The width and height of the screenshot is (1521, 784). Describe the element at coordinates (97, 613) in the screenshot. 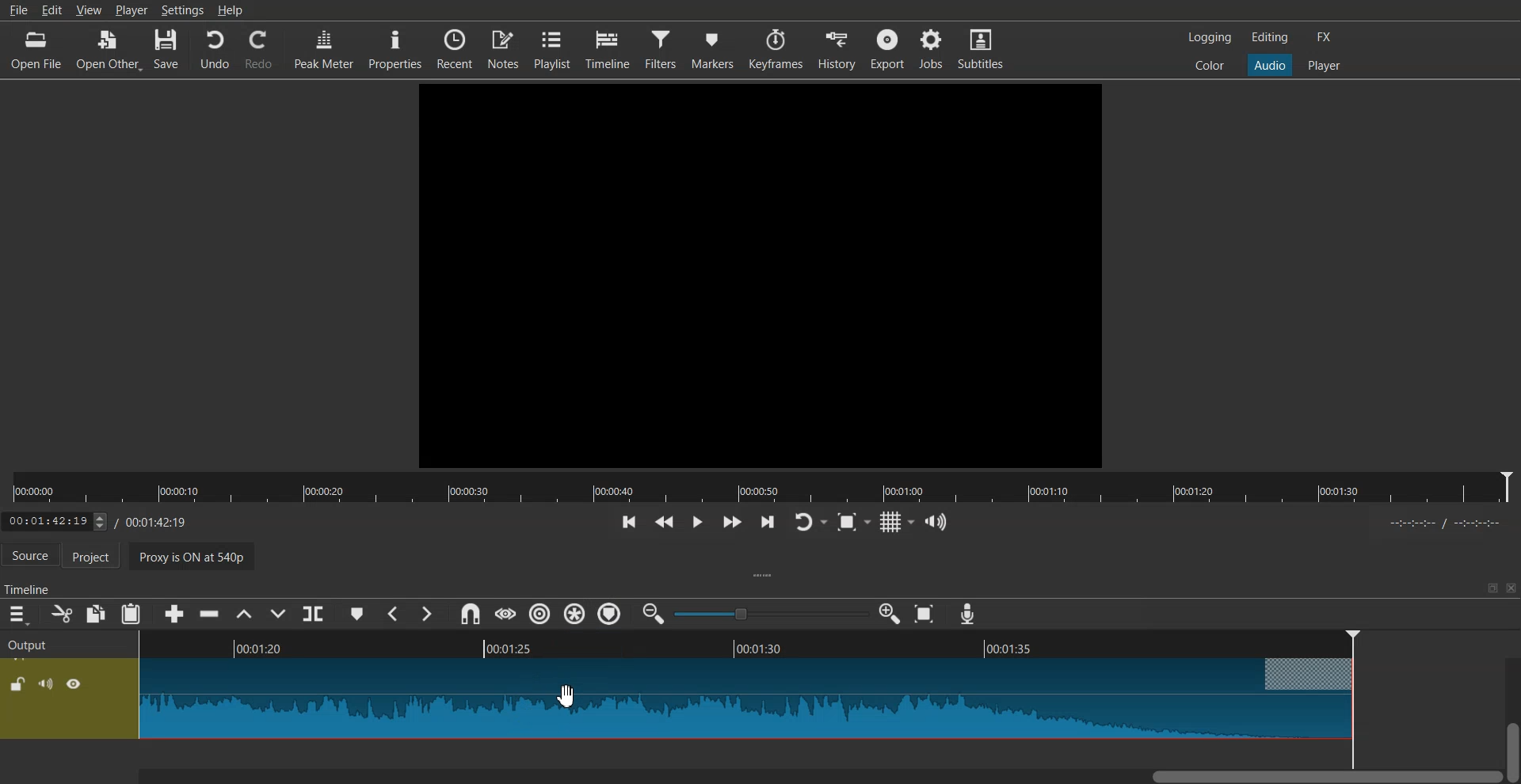

I see `Copy` at that location.